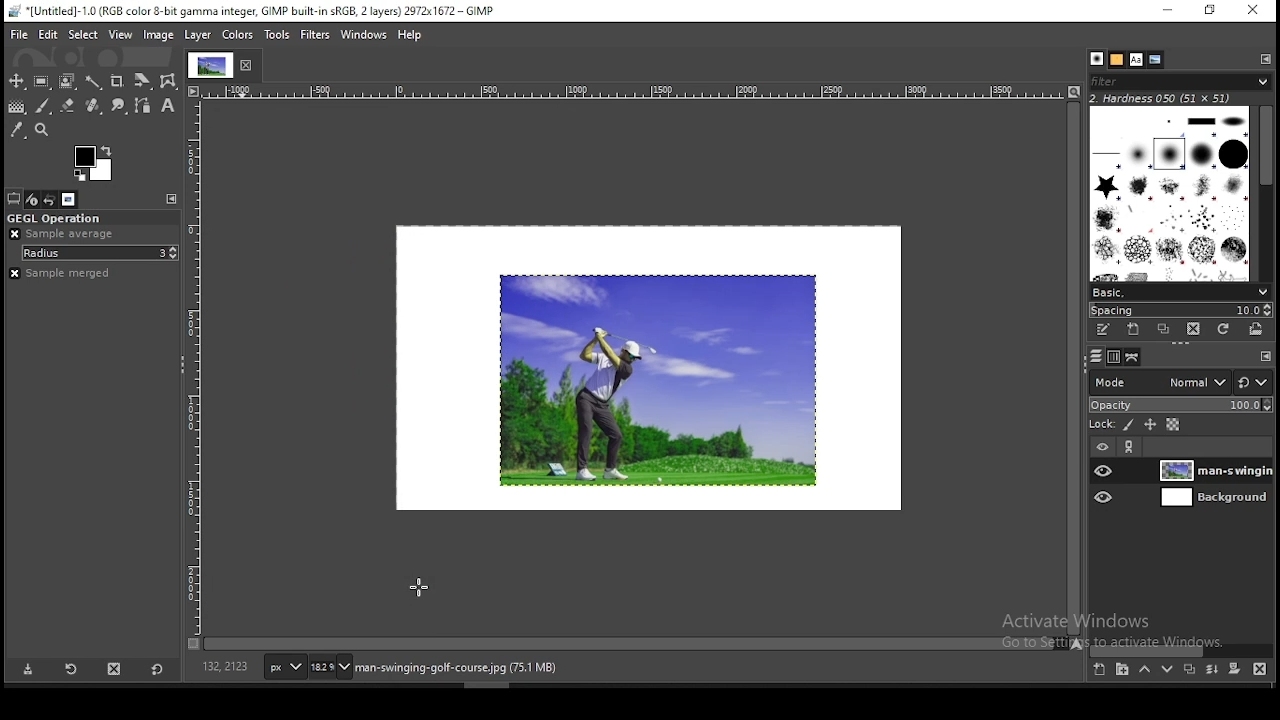 The height and width of the screenshot is (720, 1280). Describe the element at coordinates (331, 667) in the screenshot. I see `zoom status` at that location.